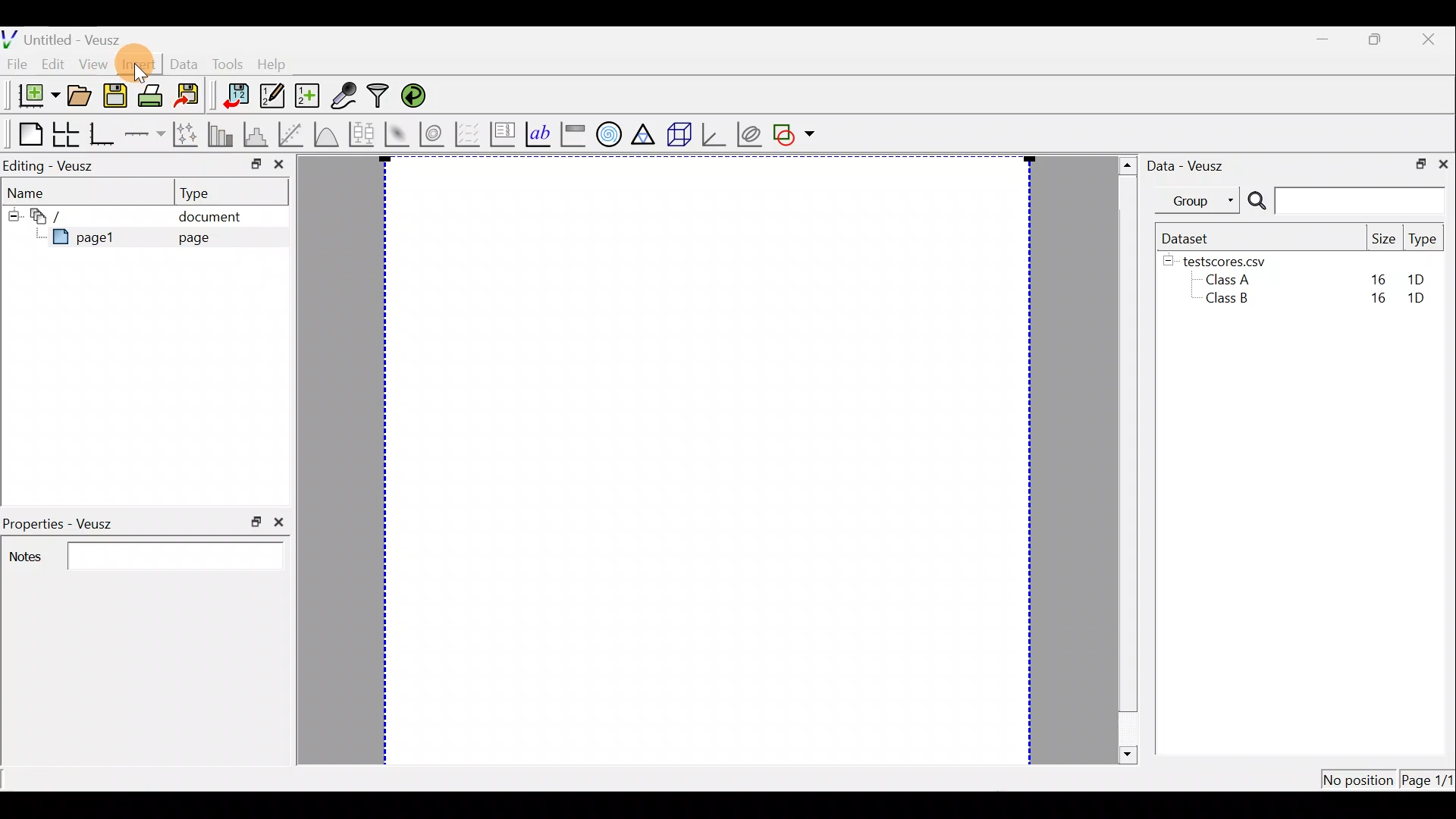  I want to click on Export to graphics format, so click(190, 96).